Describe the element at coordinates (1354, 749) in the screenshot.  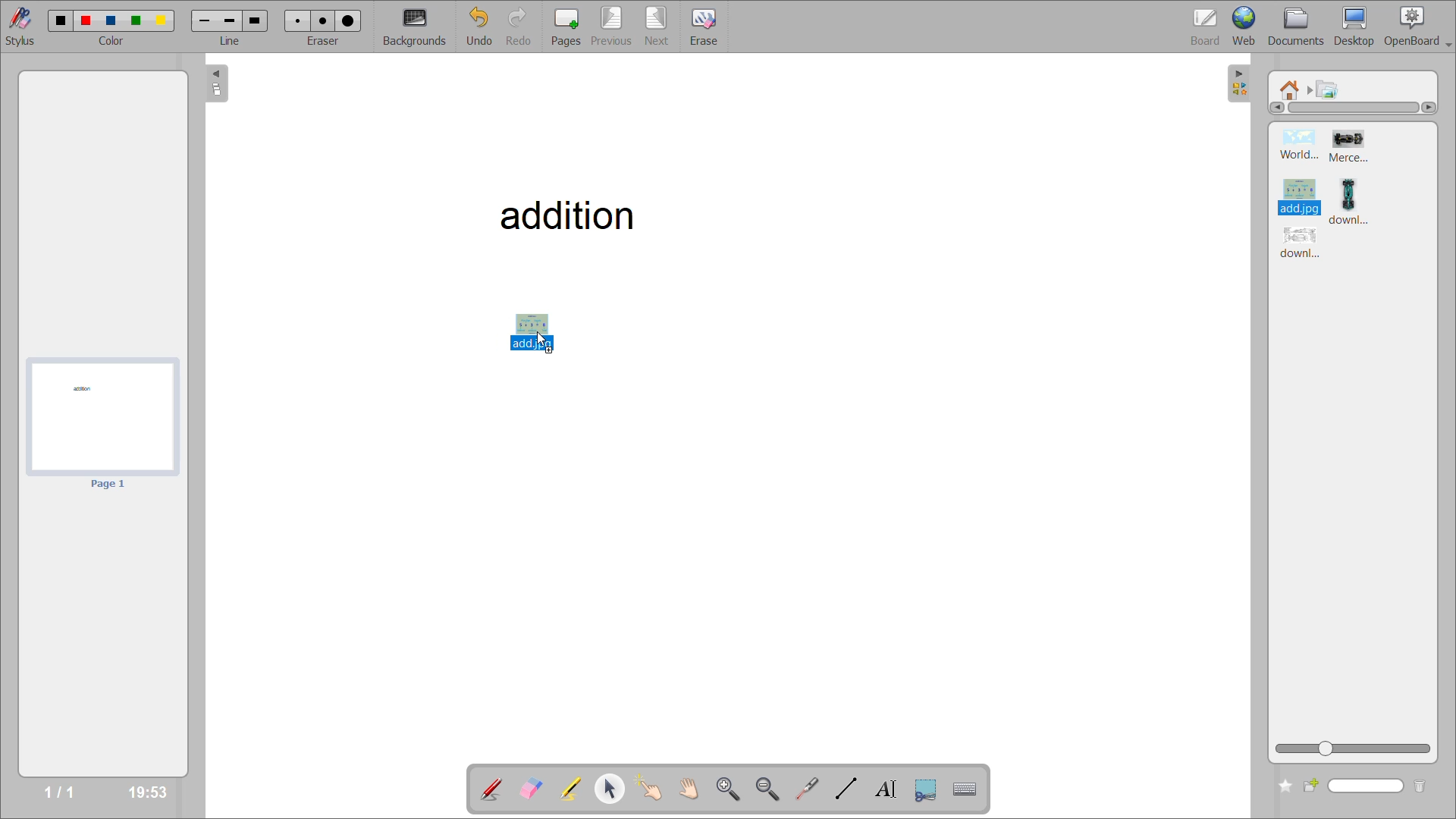
I see `zoom slider` at that location.